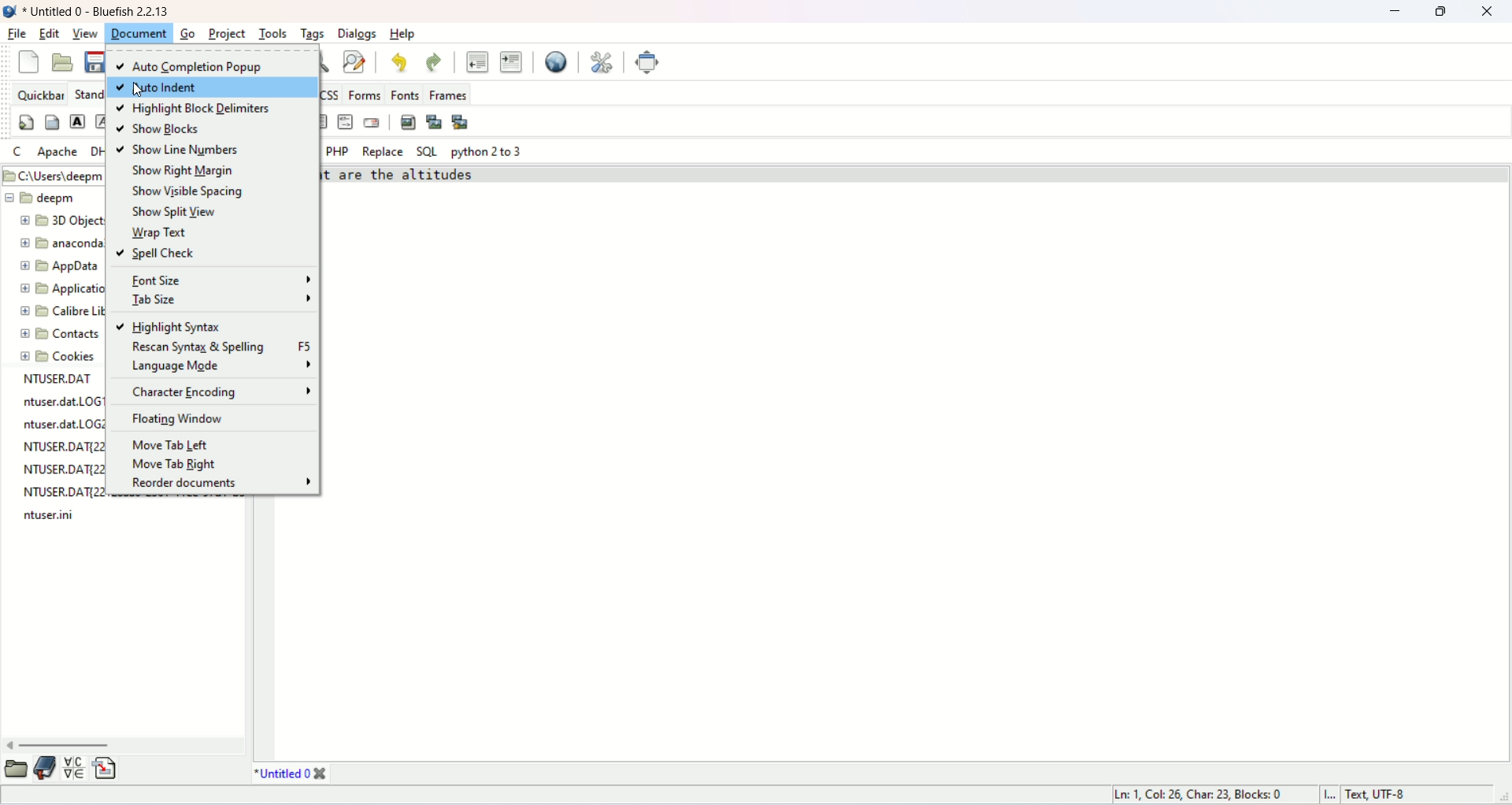 This screenshot has height=805, width=1512. I want to click on show right margin, so click(179, 170).